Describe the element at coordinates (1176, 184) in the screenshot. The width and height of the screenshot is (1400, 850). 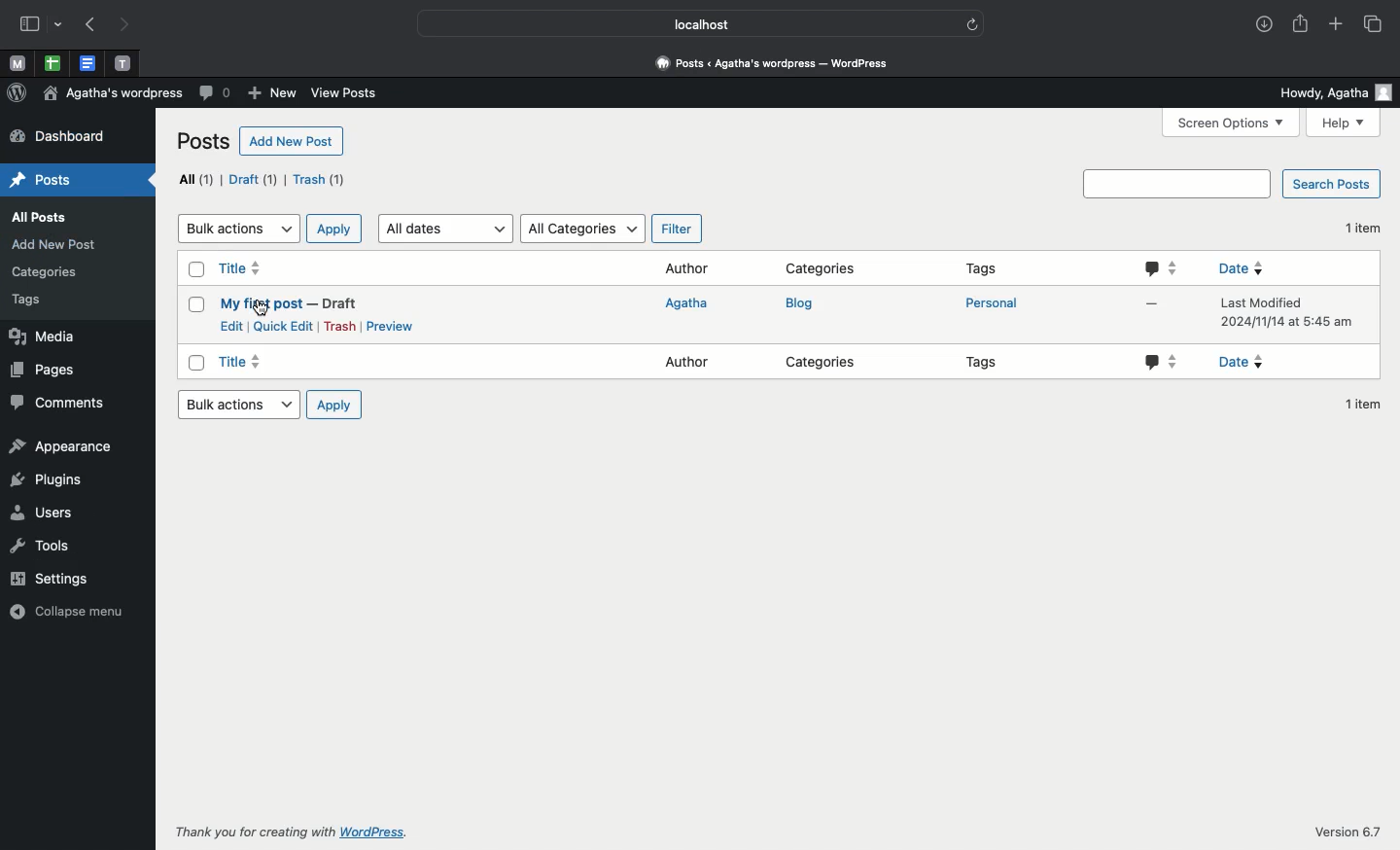
I see `search` at that location.